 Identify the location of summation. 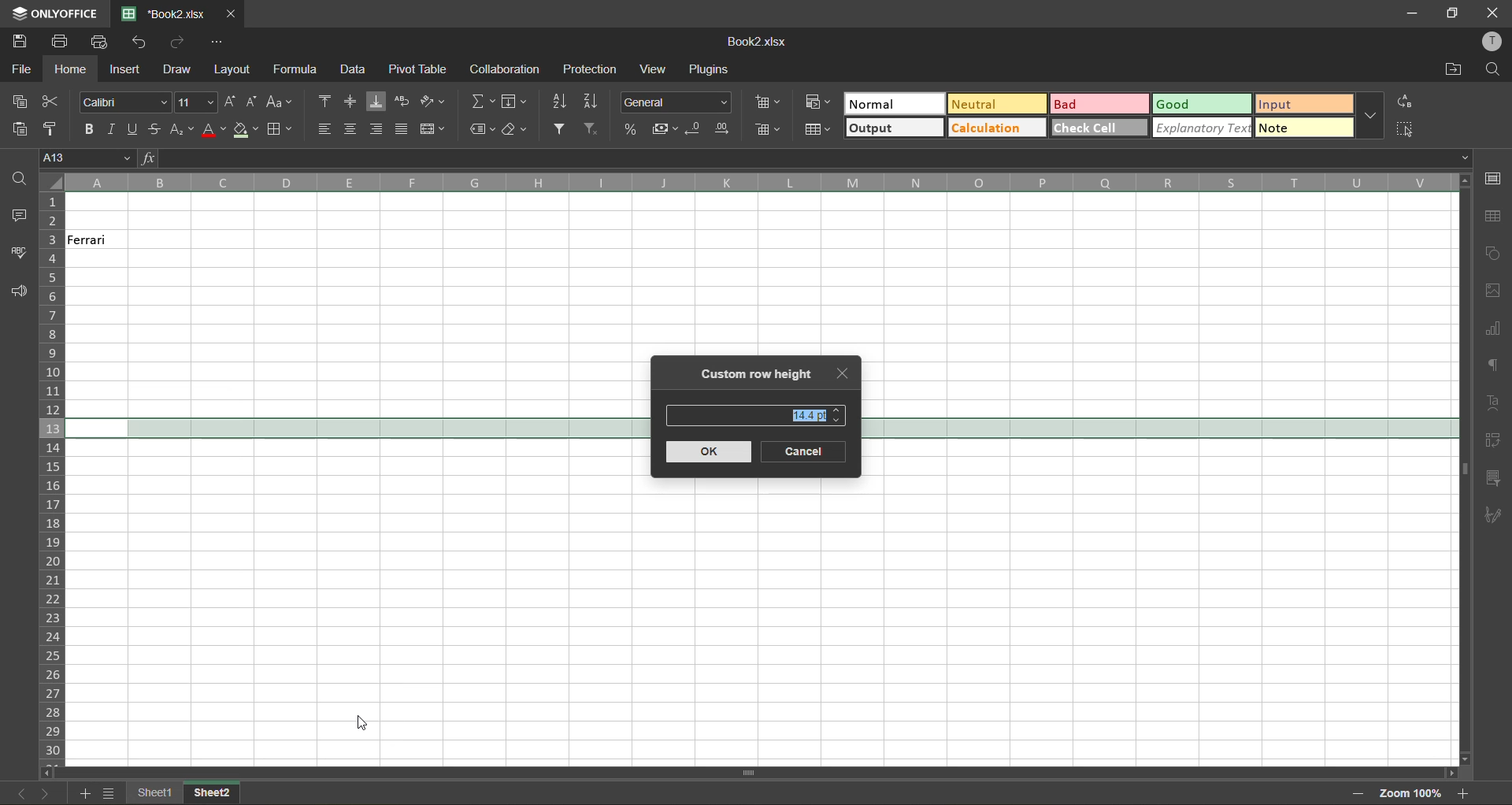
(482, 101).